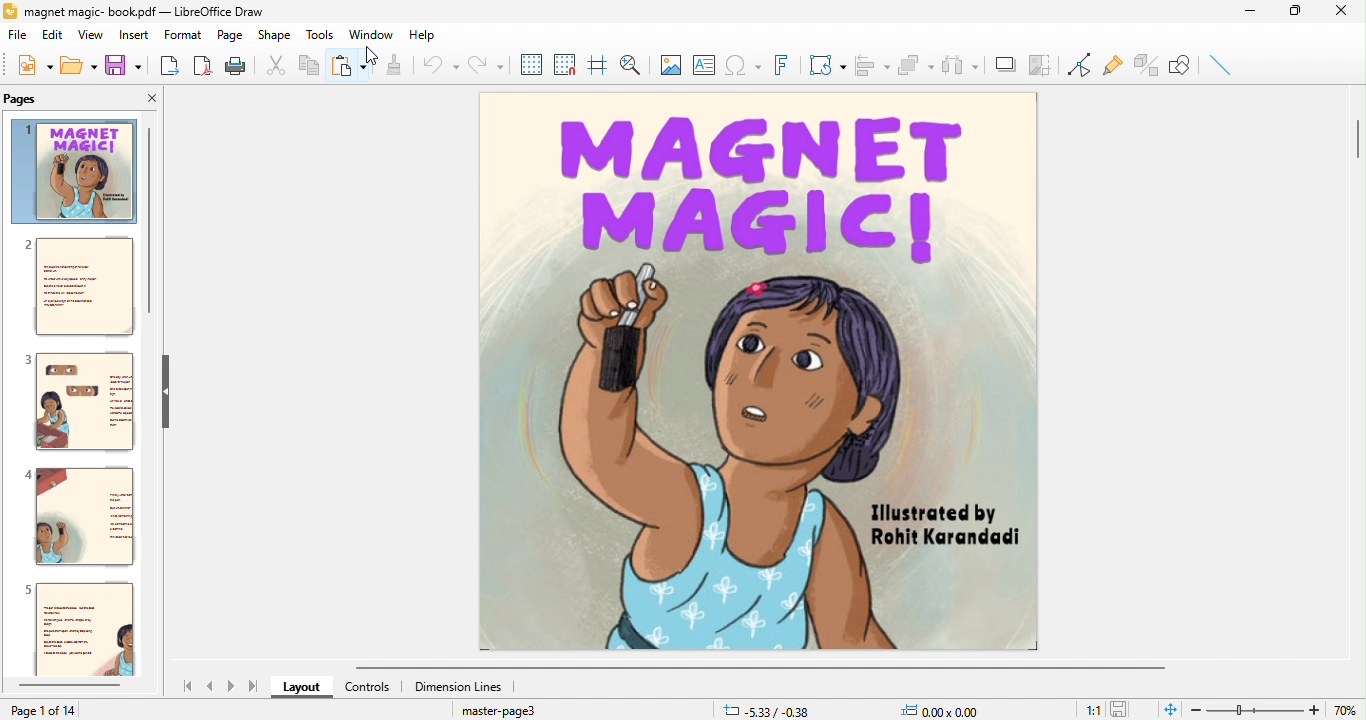 The height and width of the screenshot is (720, 1366). Describe the element at coordinates (1041, 63) in the screenshot. I see `crop image` at that location.